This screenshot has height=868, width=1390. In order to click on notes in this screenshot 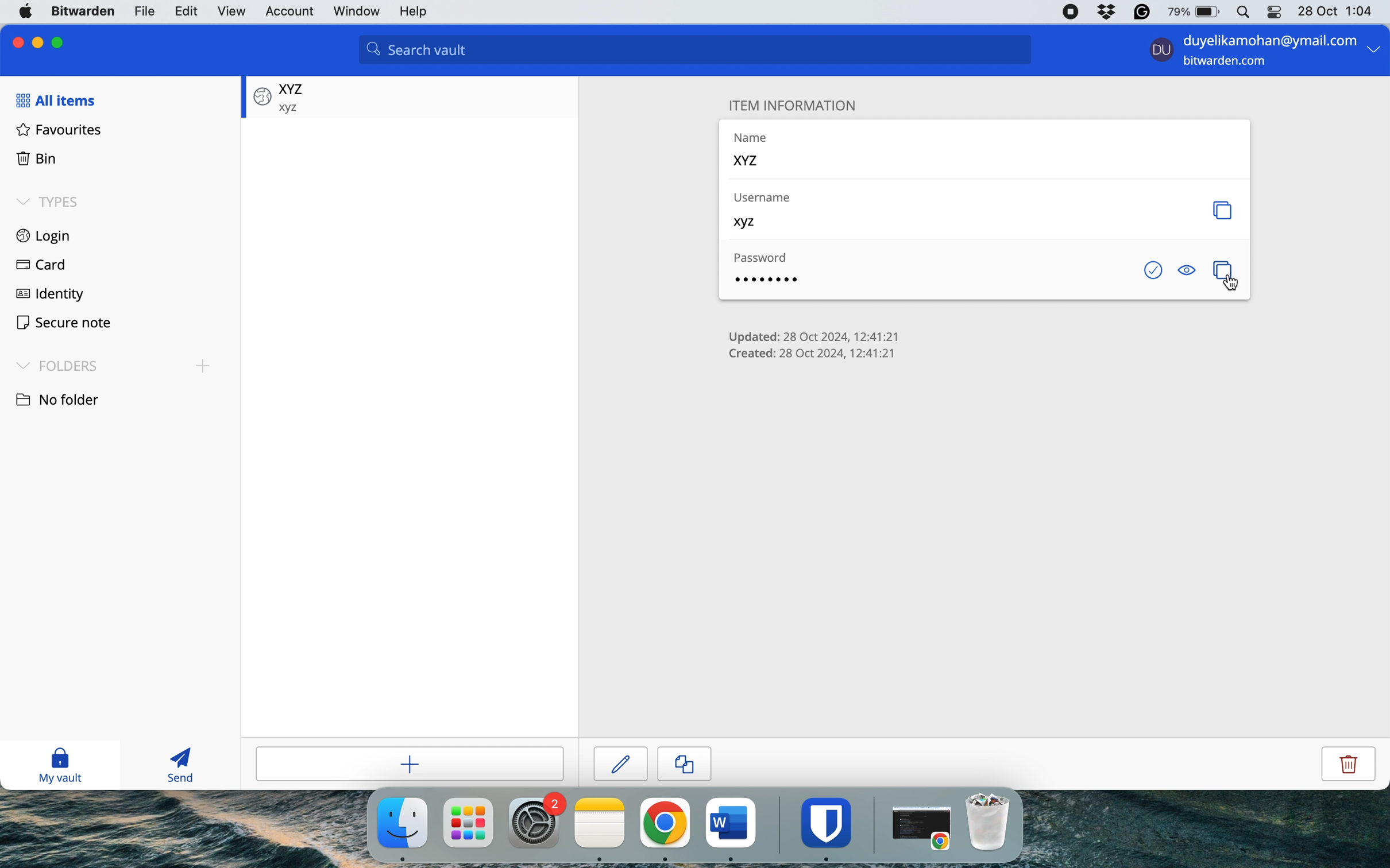, I will do `click(601, 823)`.